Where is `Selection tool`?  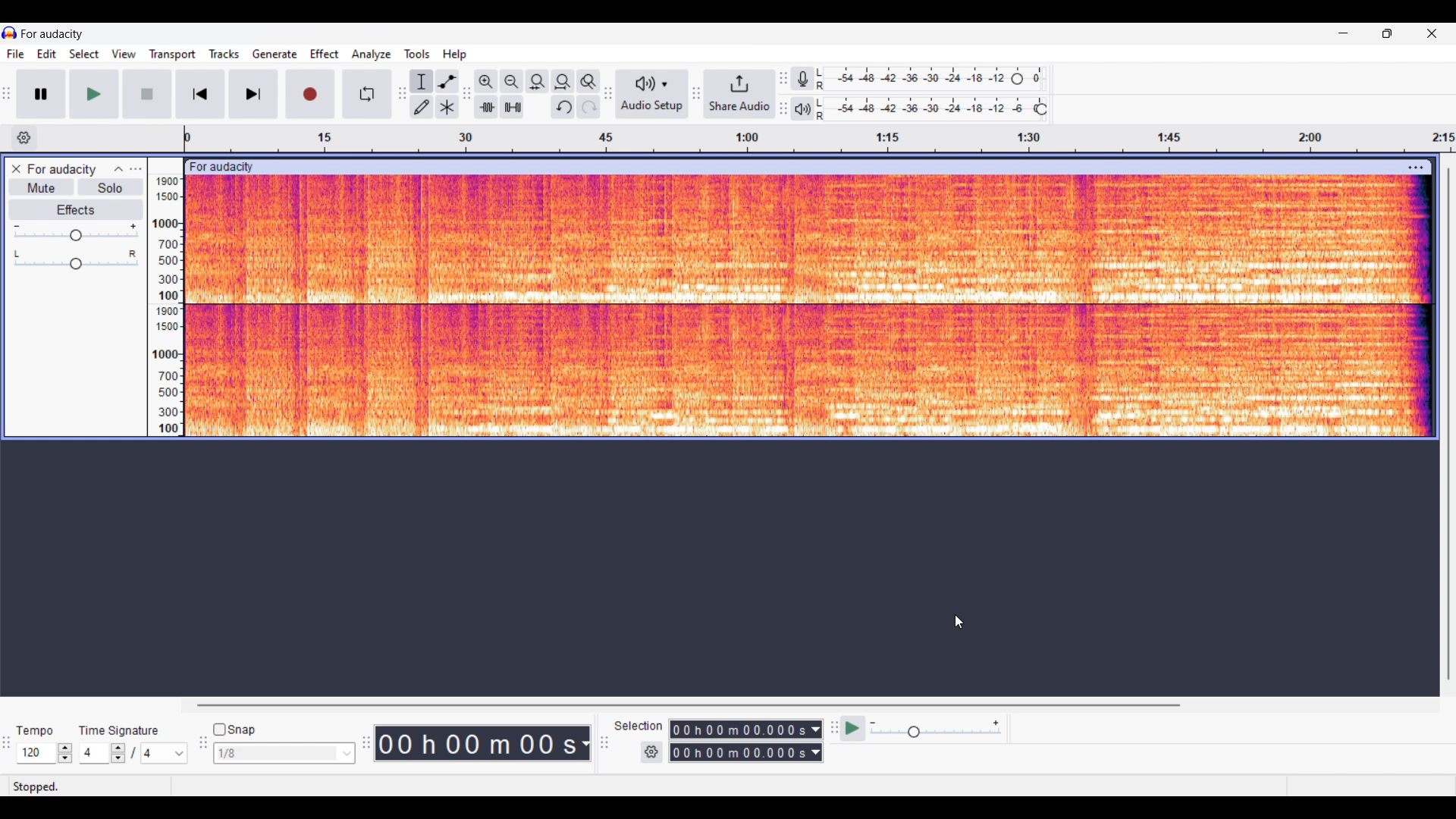 Selection tool is located at coordinates (422, 82).